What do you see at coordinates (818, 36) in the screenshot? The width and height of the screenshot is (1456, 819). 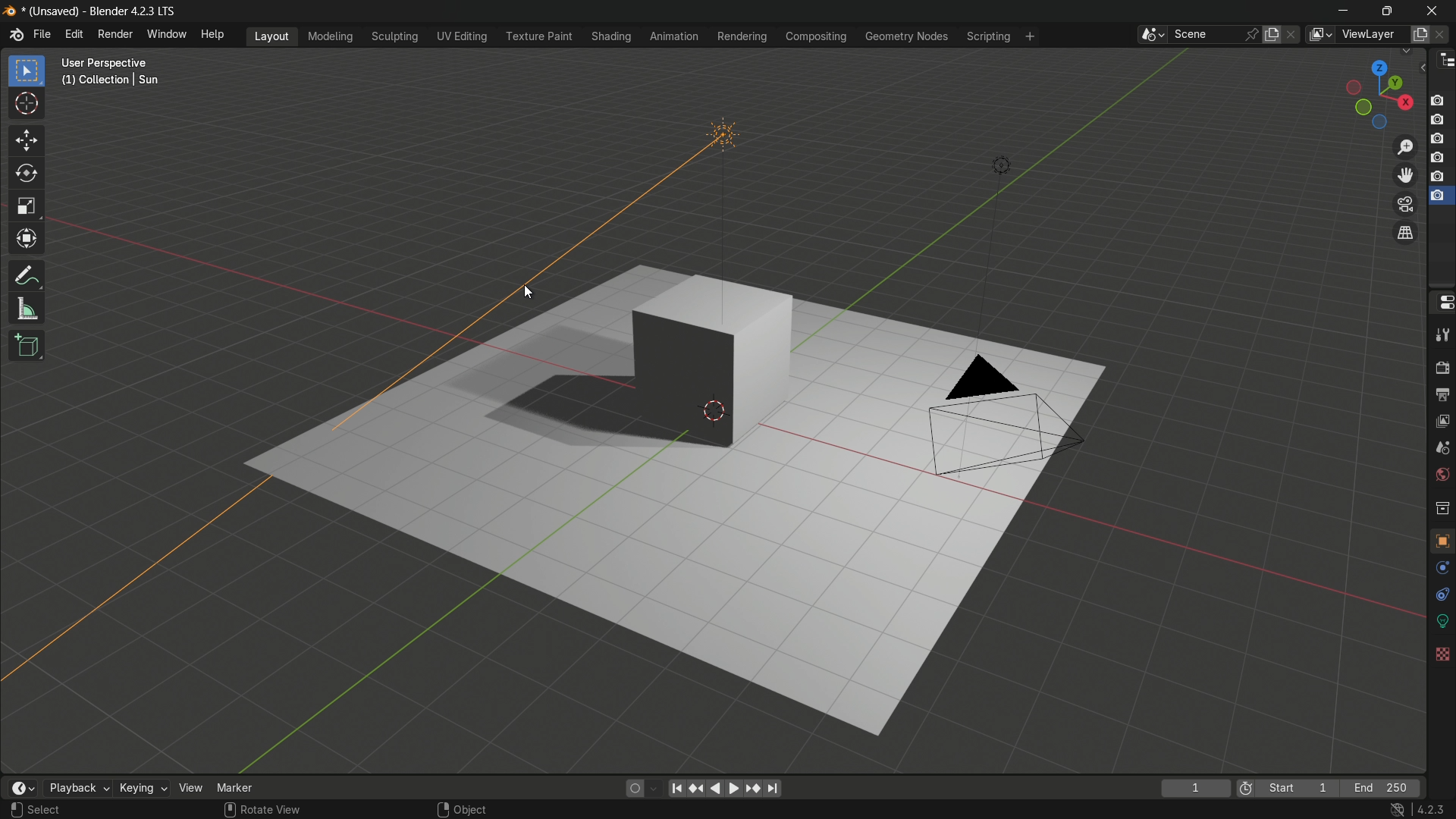 I see `compositing` at bounding box center [818, 36].